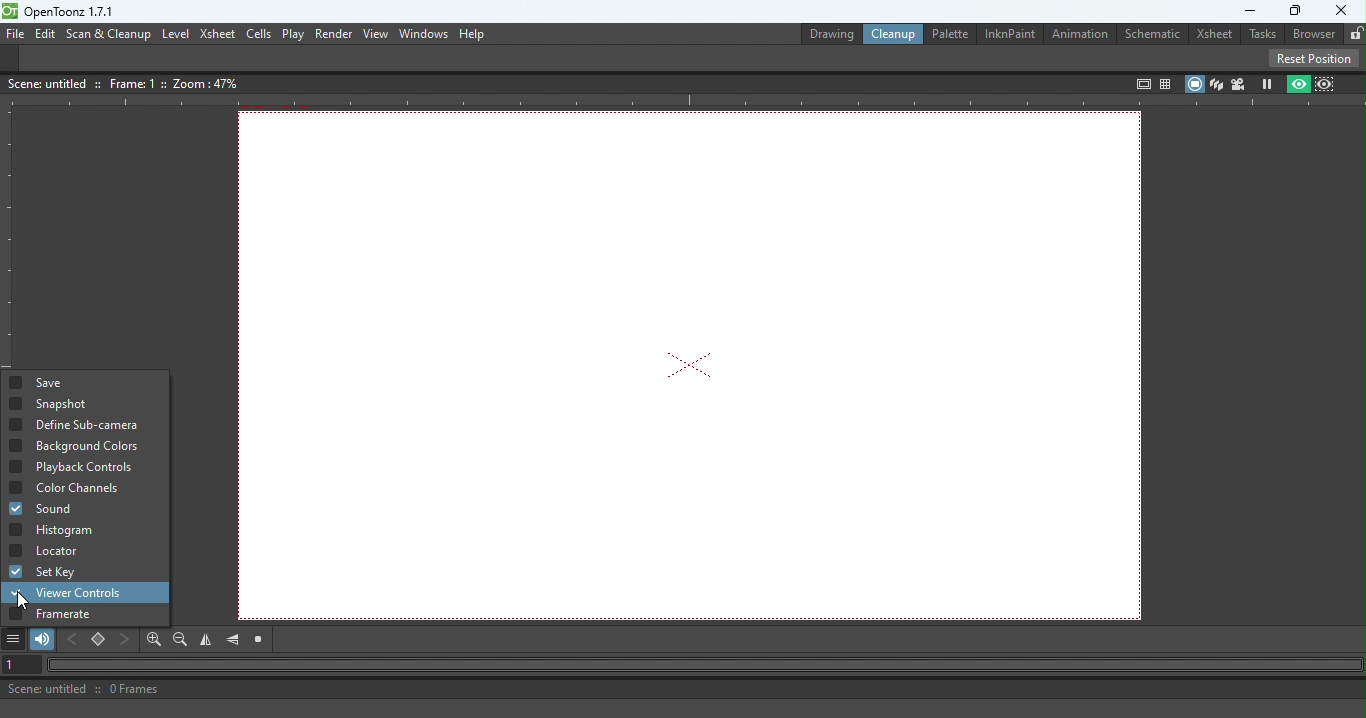 The image size is (1366, 718). I want to click on openloonz1.7.1, so click(75, 12).